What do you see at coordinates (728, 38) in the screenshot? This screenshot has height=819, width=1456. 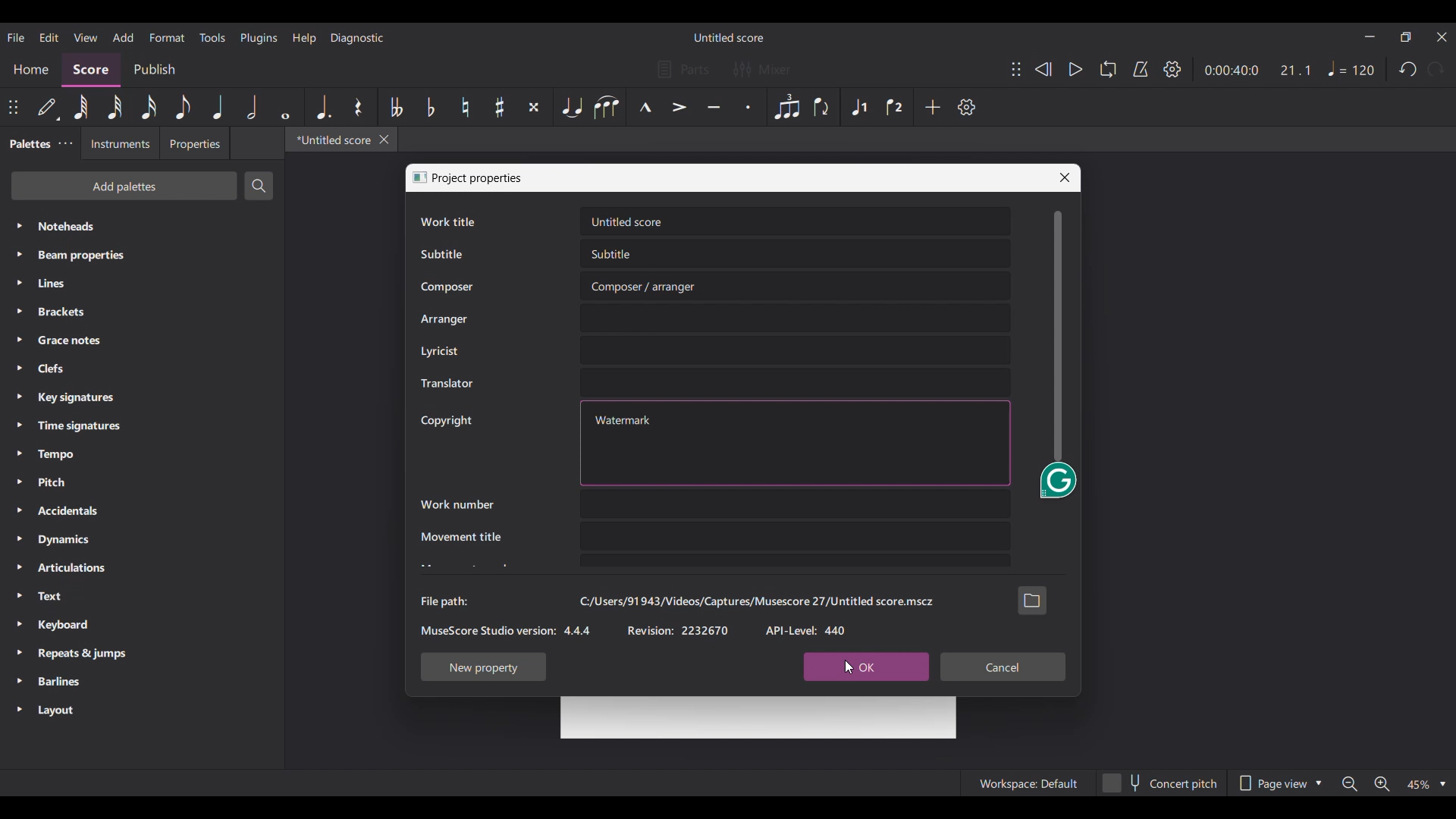 I see `Untitled score` at bounding box center [728, 38].